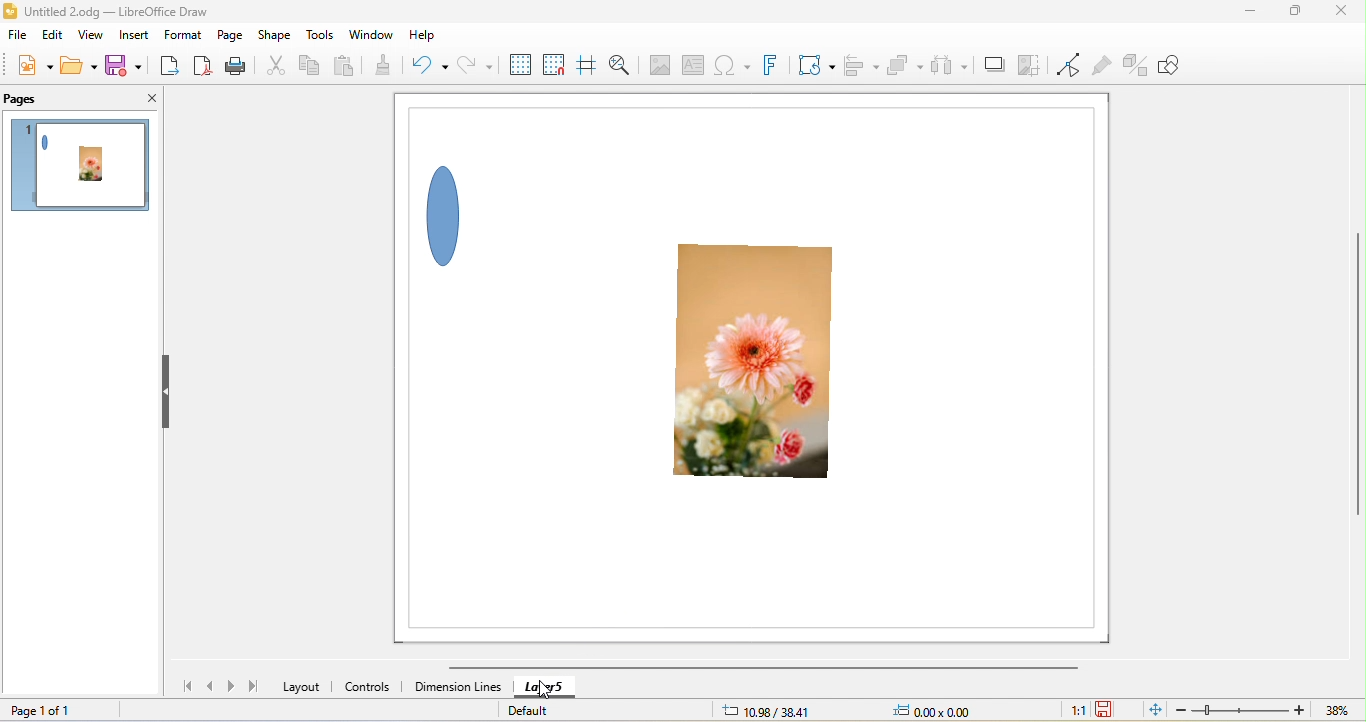 The image size is (1366, 722). Describe the element at coordinates (88, 37) in the screenshot. I see `view` at that location.